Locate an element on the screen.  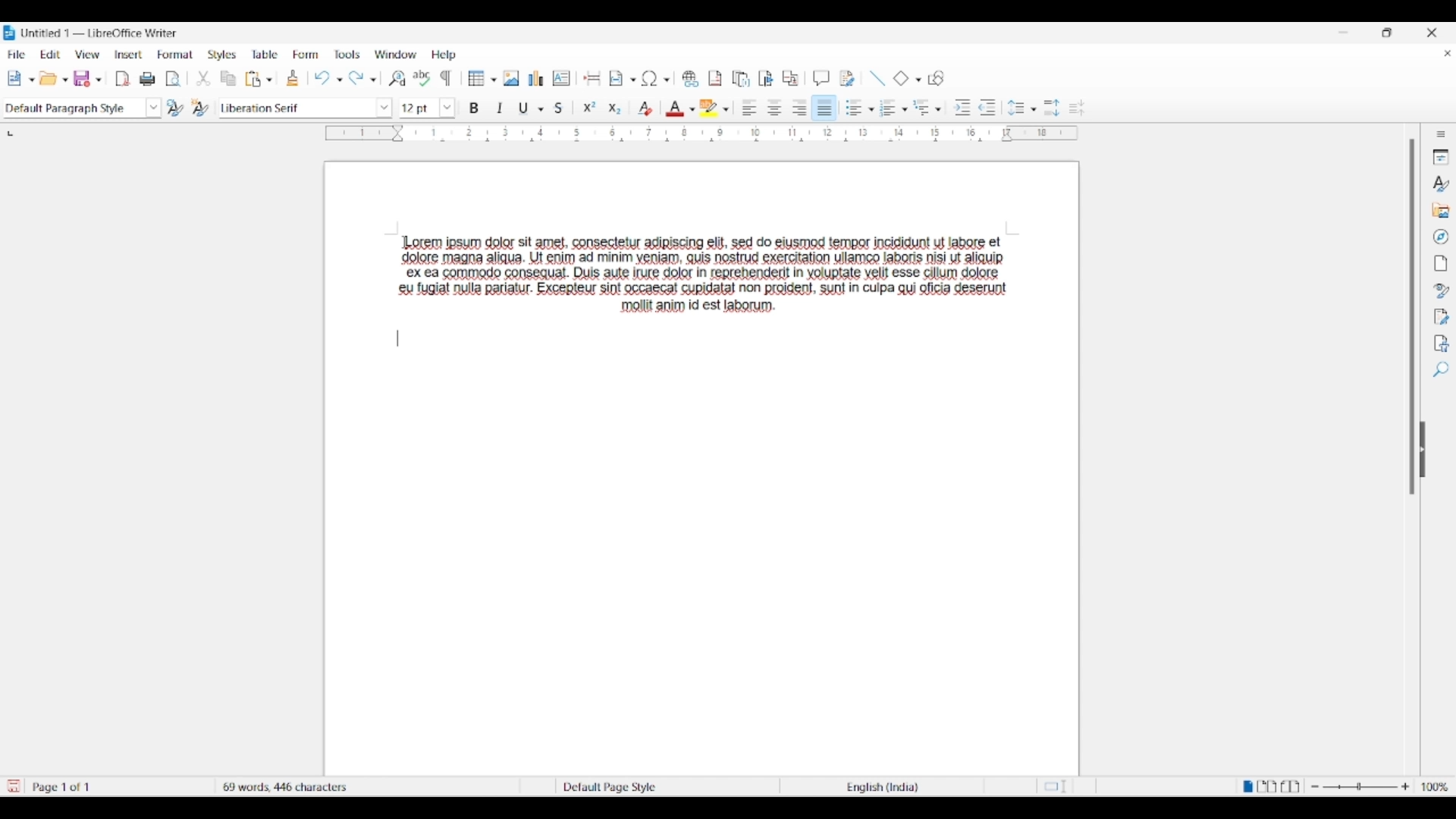
Help is located at coordinates (444, 55).